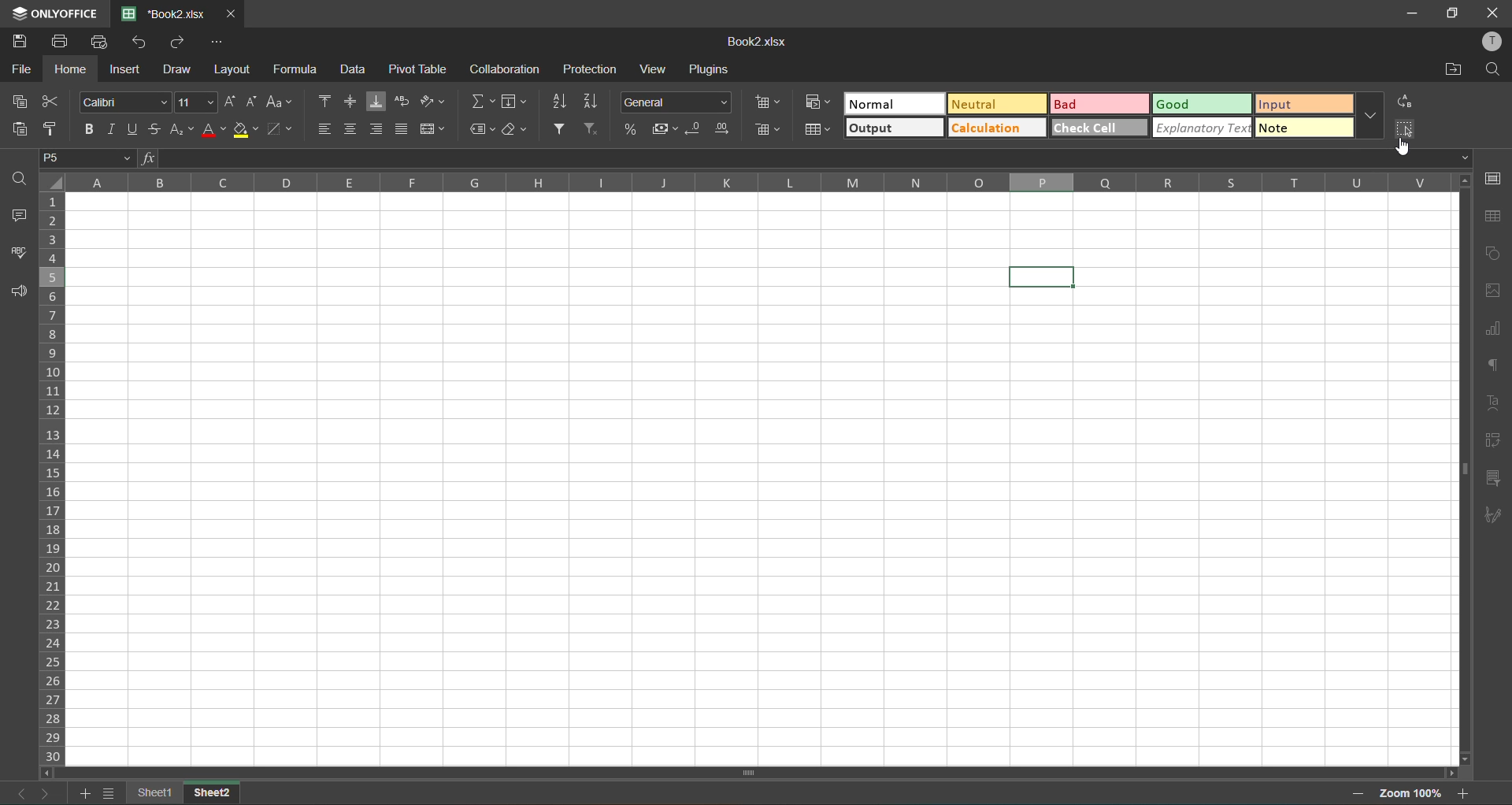 The height and width of the screenshot is (805, 1512). I want to click on minimise, so click(1412, 12).